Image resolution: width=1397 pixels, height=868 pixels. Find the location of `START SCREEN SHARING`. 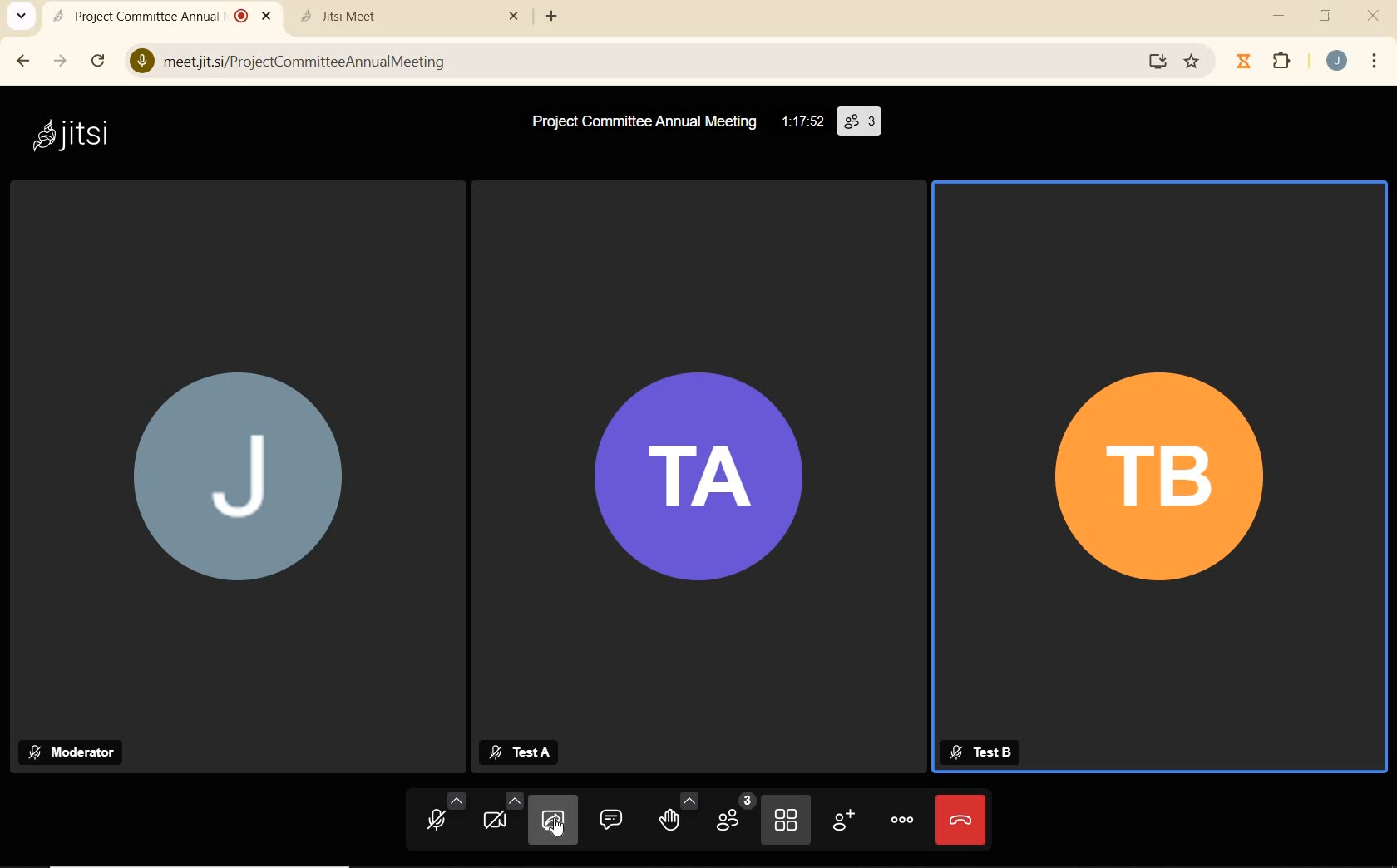

START SCREEN SHARING is located at coordinates (553, 822).